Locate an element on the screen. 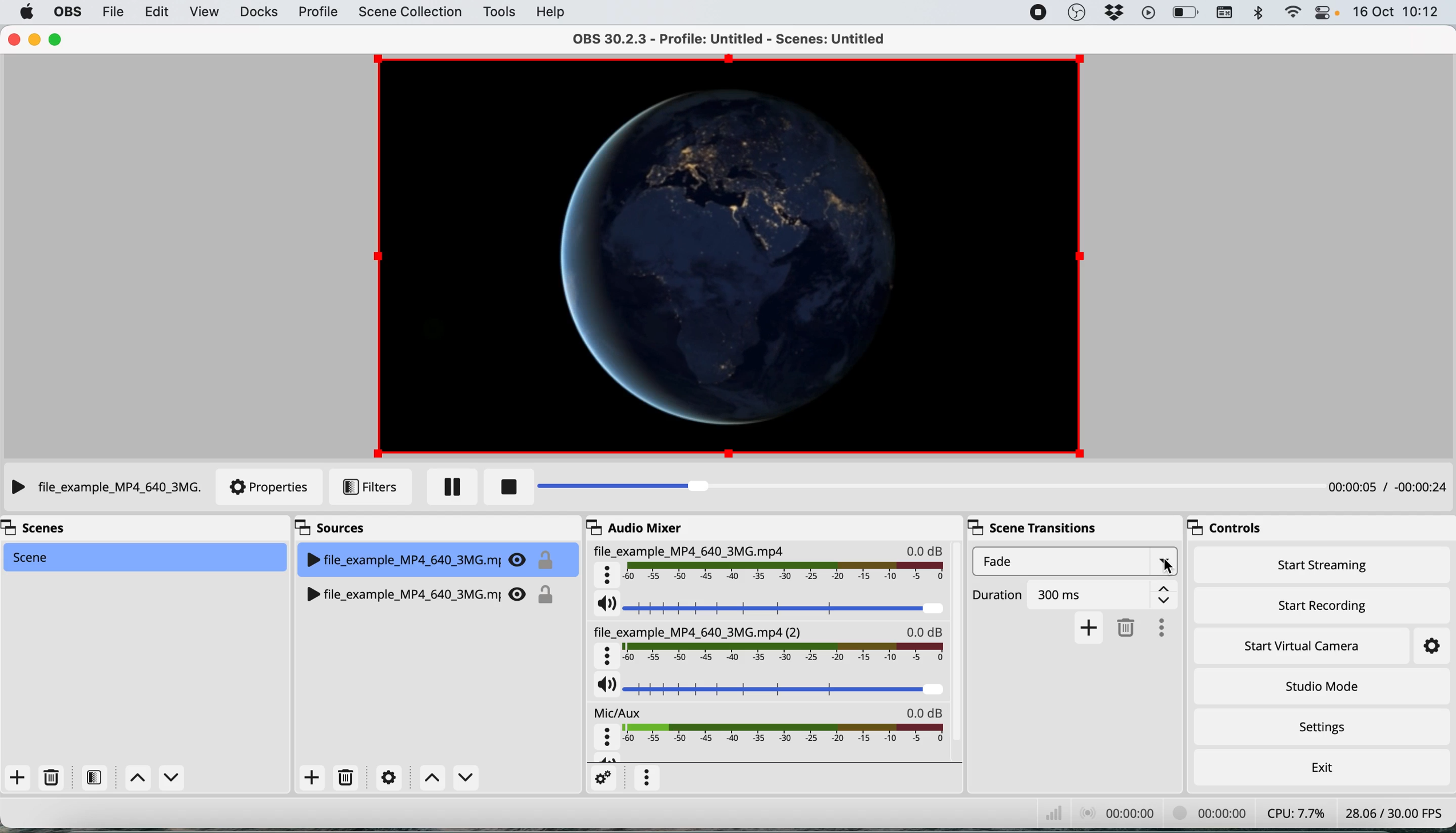 This screenshot has width=1456, height=833. pause is located at coordinates (451, 486).